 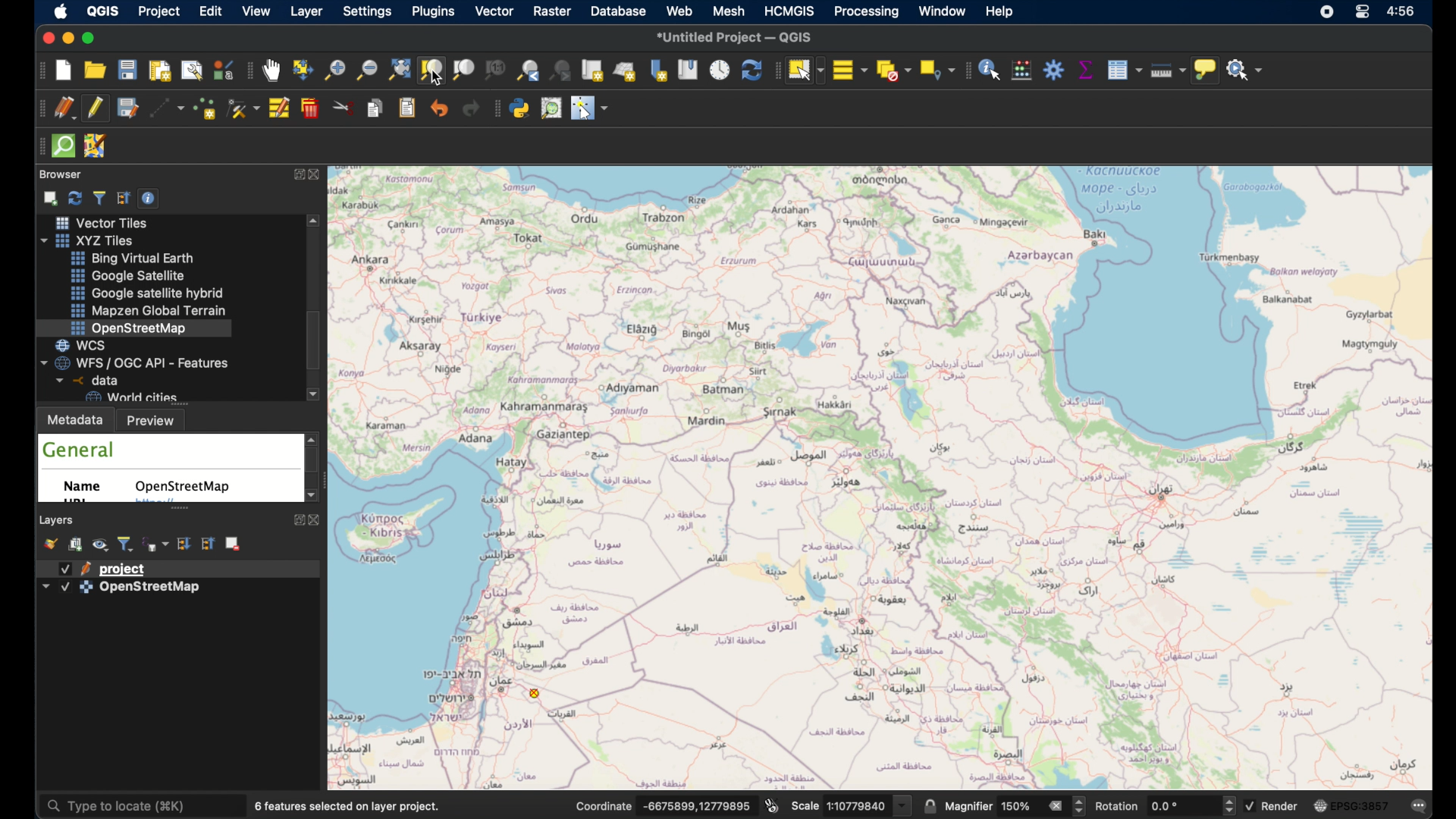 What do you see at coordinates (858, 806) in the screenshot?
I see `Scale value` at bounding box center [858, 806].